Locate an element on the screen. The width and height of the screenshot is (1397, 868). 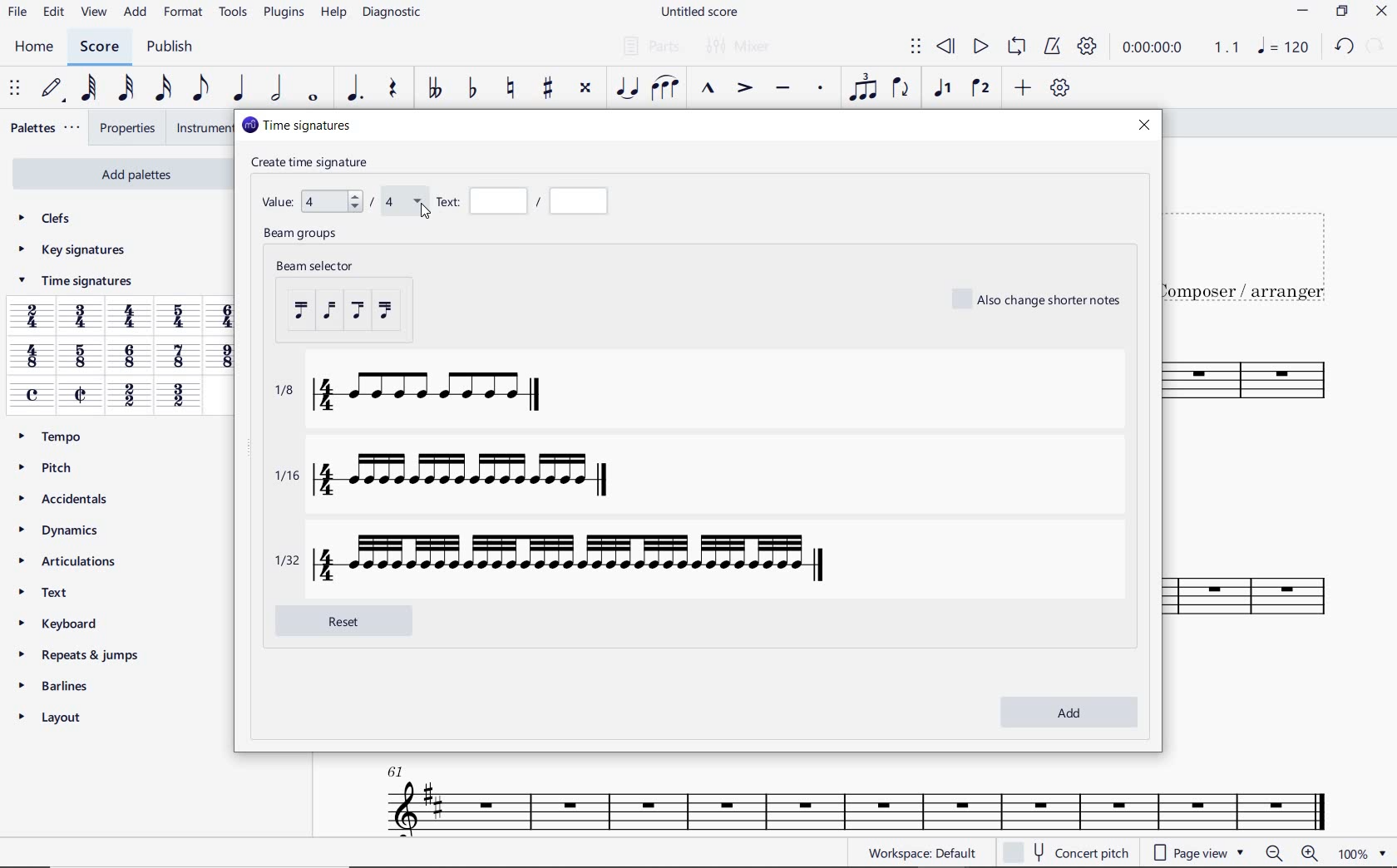
FILE NAME is located at coordinates (701, 14).